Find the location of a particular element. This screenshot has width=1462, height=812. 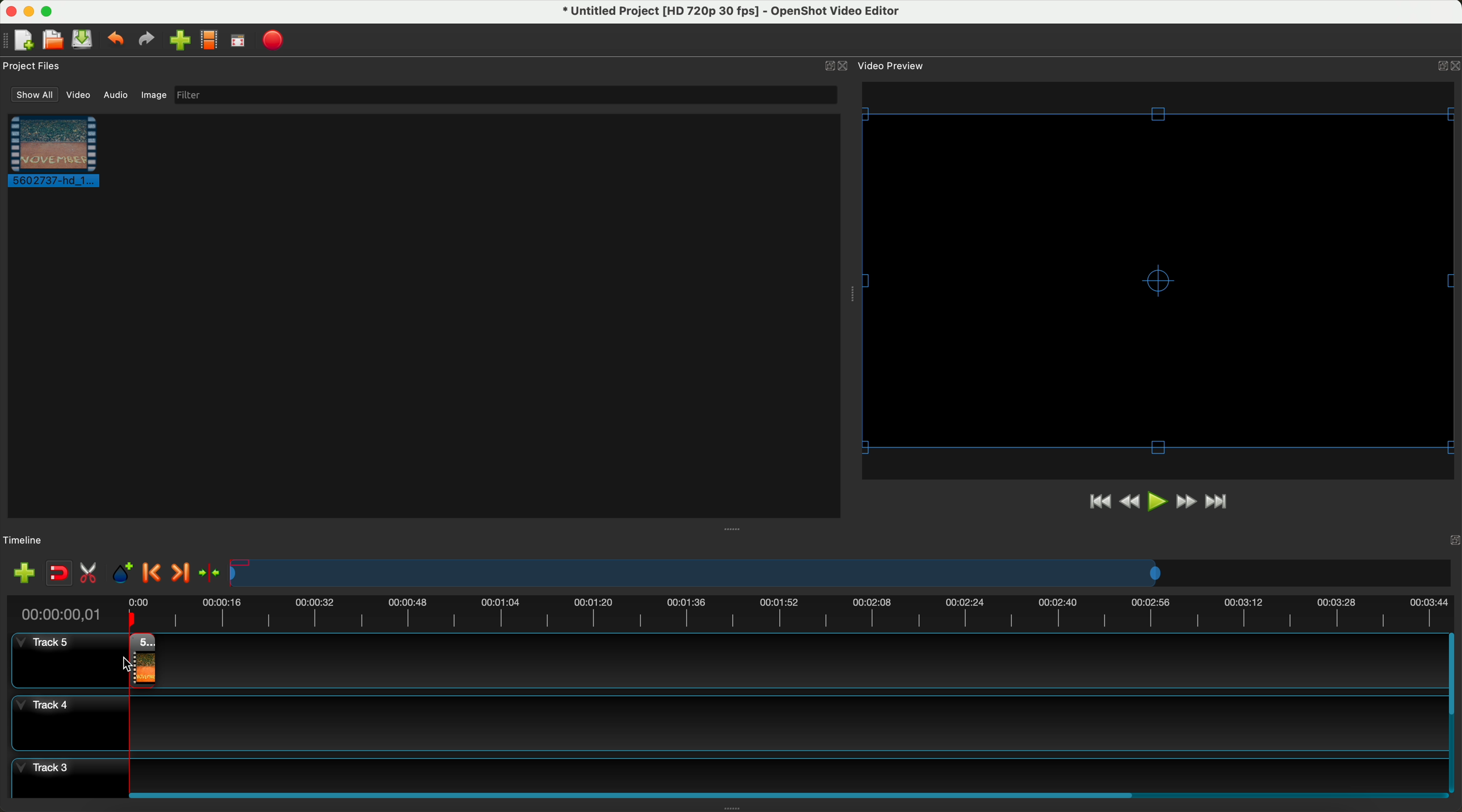

video preview is located at coordinates (1161, 280).